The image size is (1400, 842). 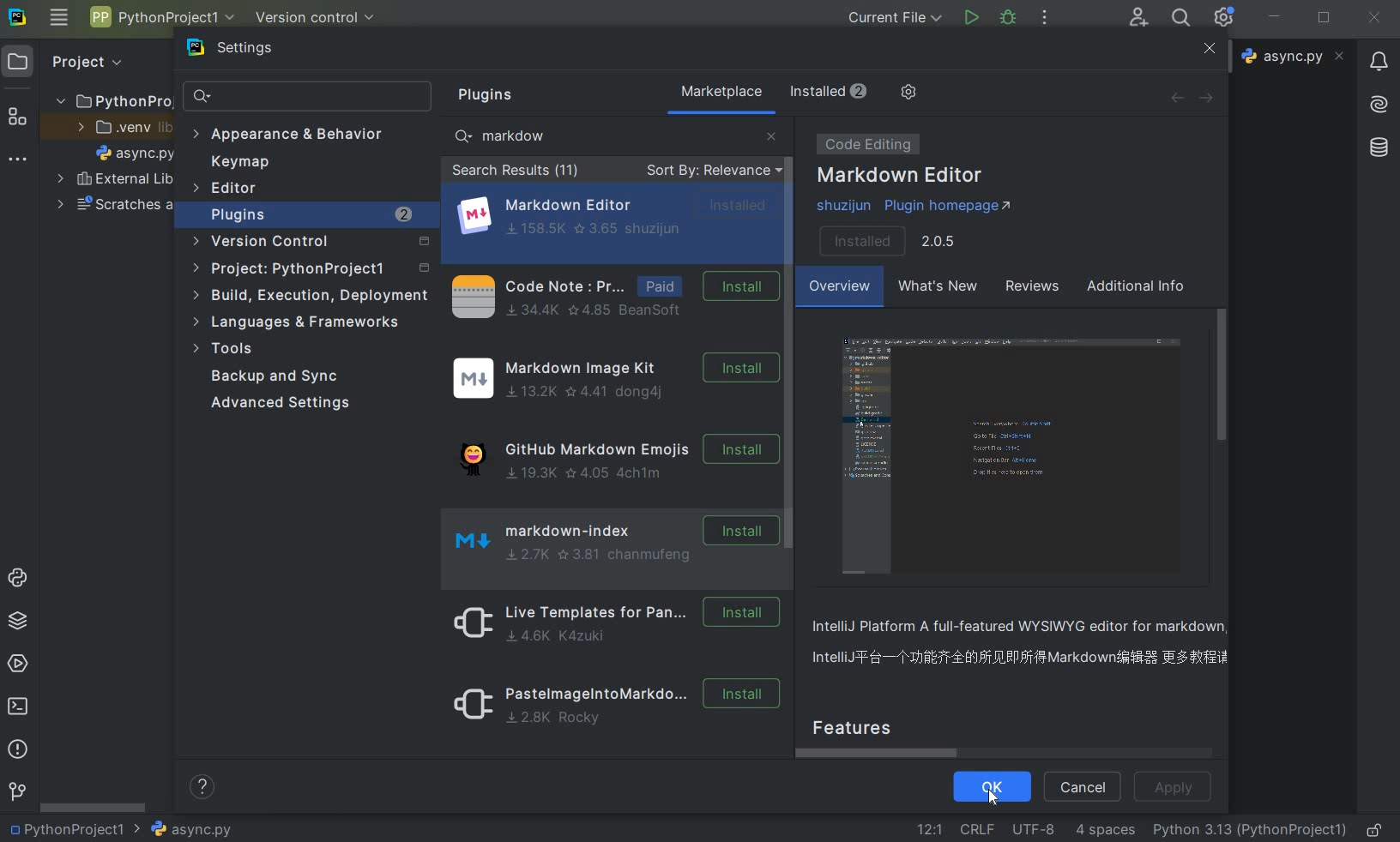 I want to click on project, so click(x=309, y=270).